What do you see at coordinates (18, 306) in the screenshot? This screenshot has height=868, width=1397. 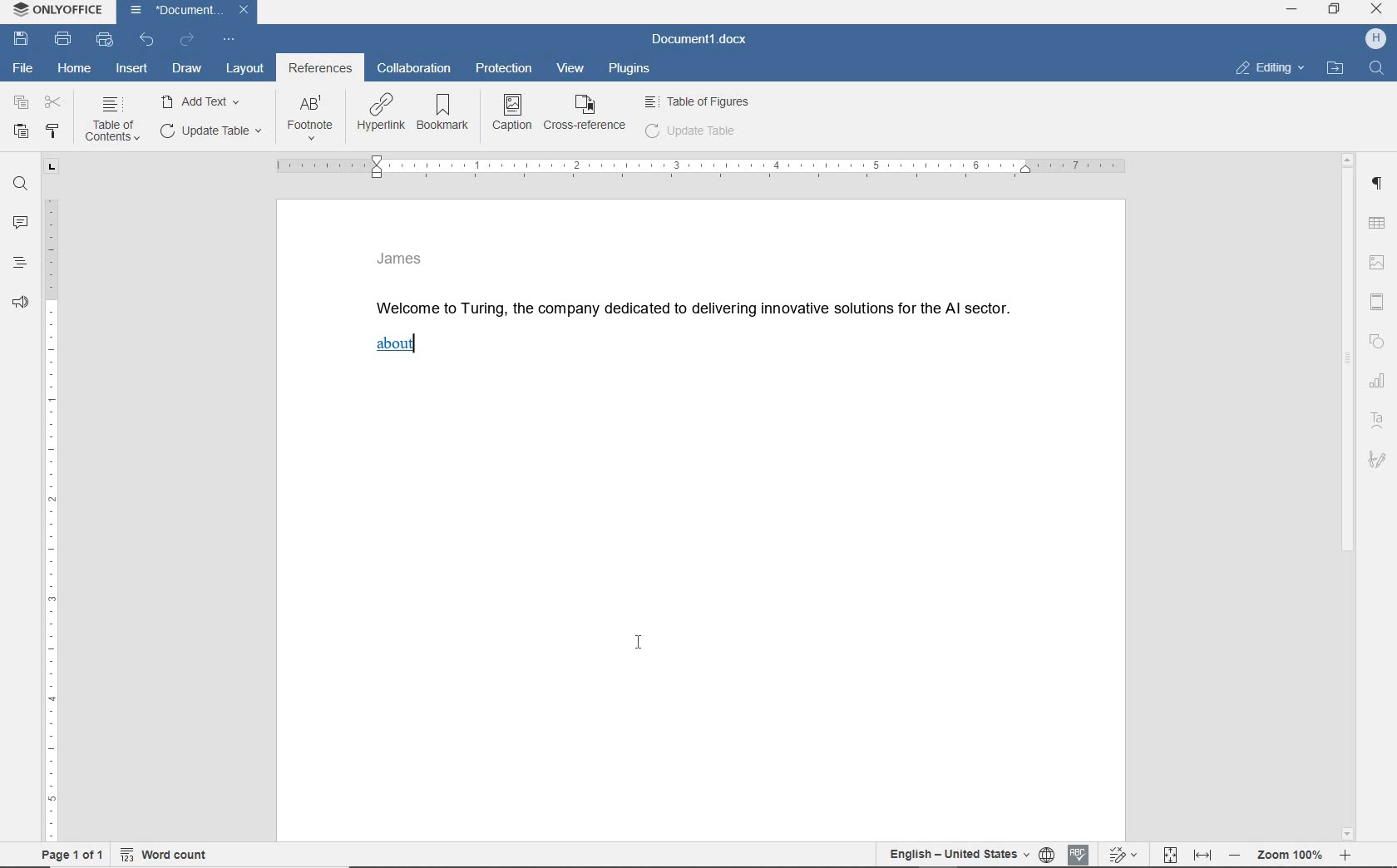 I see `feedback & support` at bounding box center [18, 306].